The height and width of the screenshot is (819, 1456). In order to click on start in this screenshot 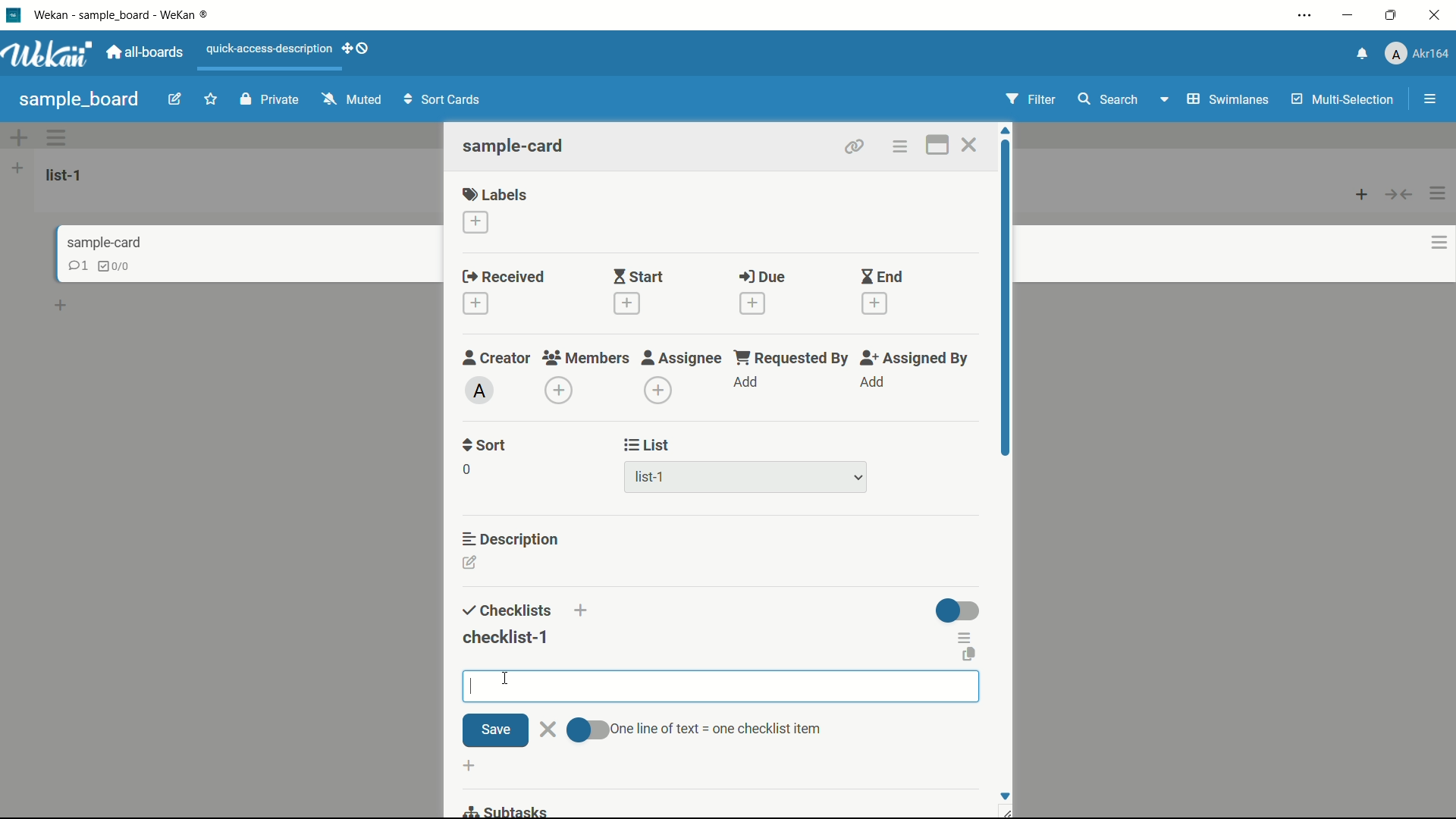, I will do `click(640, 277)`.